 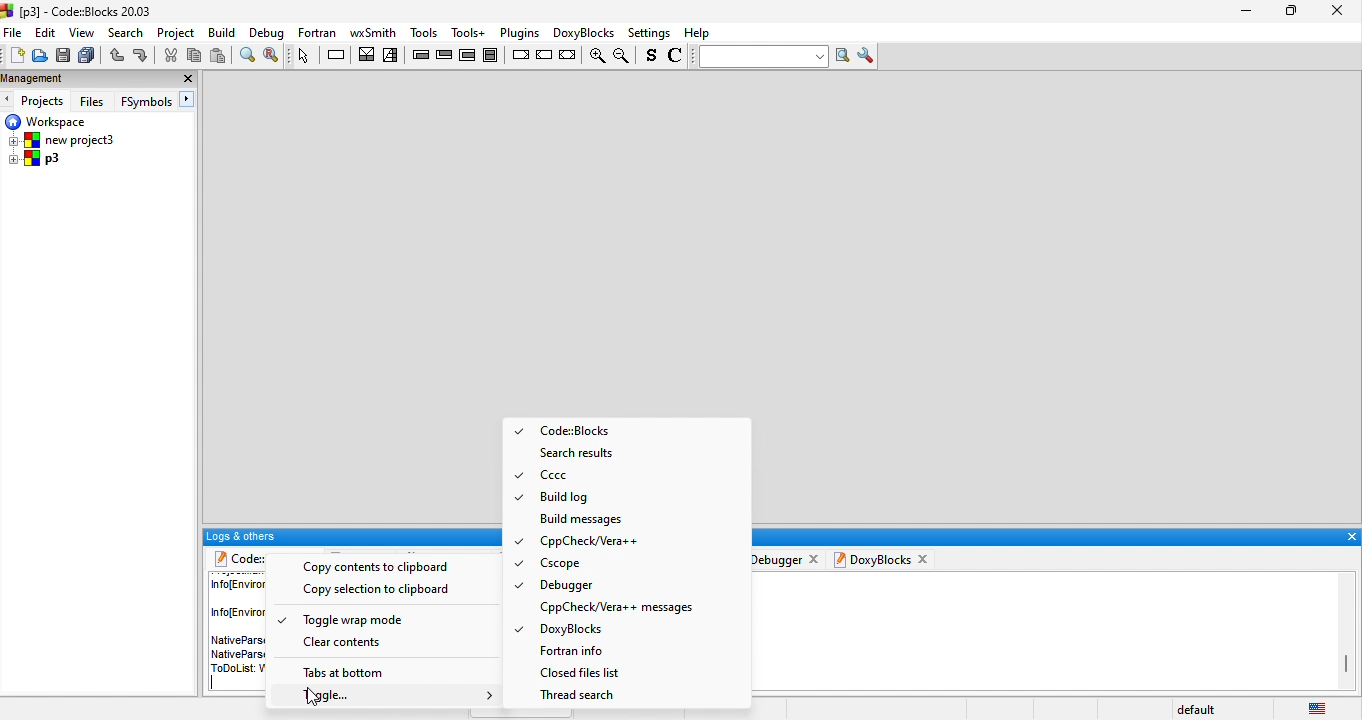 What do you see at coordinates (187, 79) in the screenshot?
I see `close` at bounding box center [187, 79].